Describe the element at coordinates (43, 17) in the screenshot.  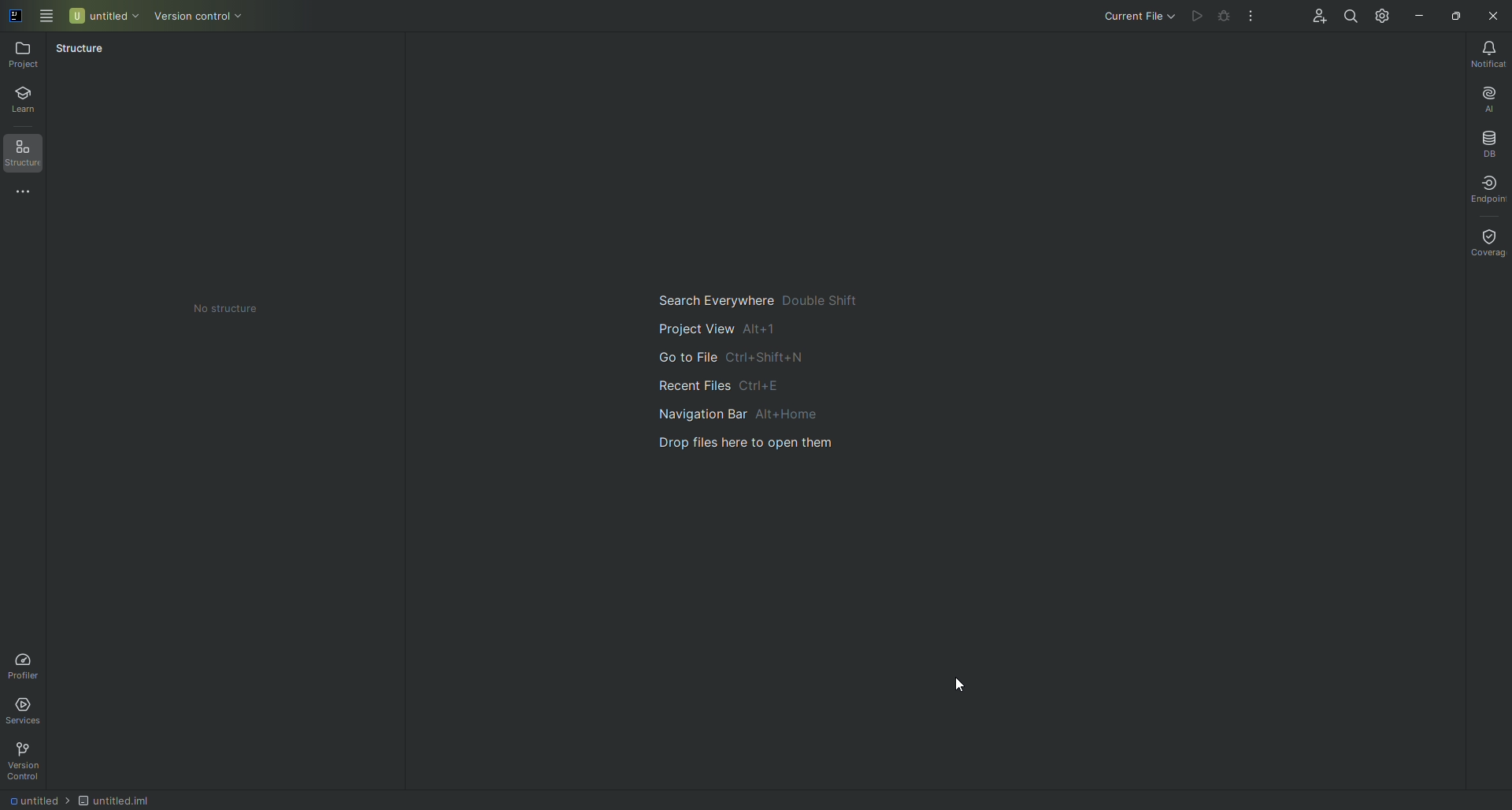
I see `Main Menu` at that location.